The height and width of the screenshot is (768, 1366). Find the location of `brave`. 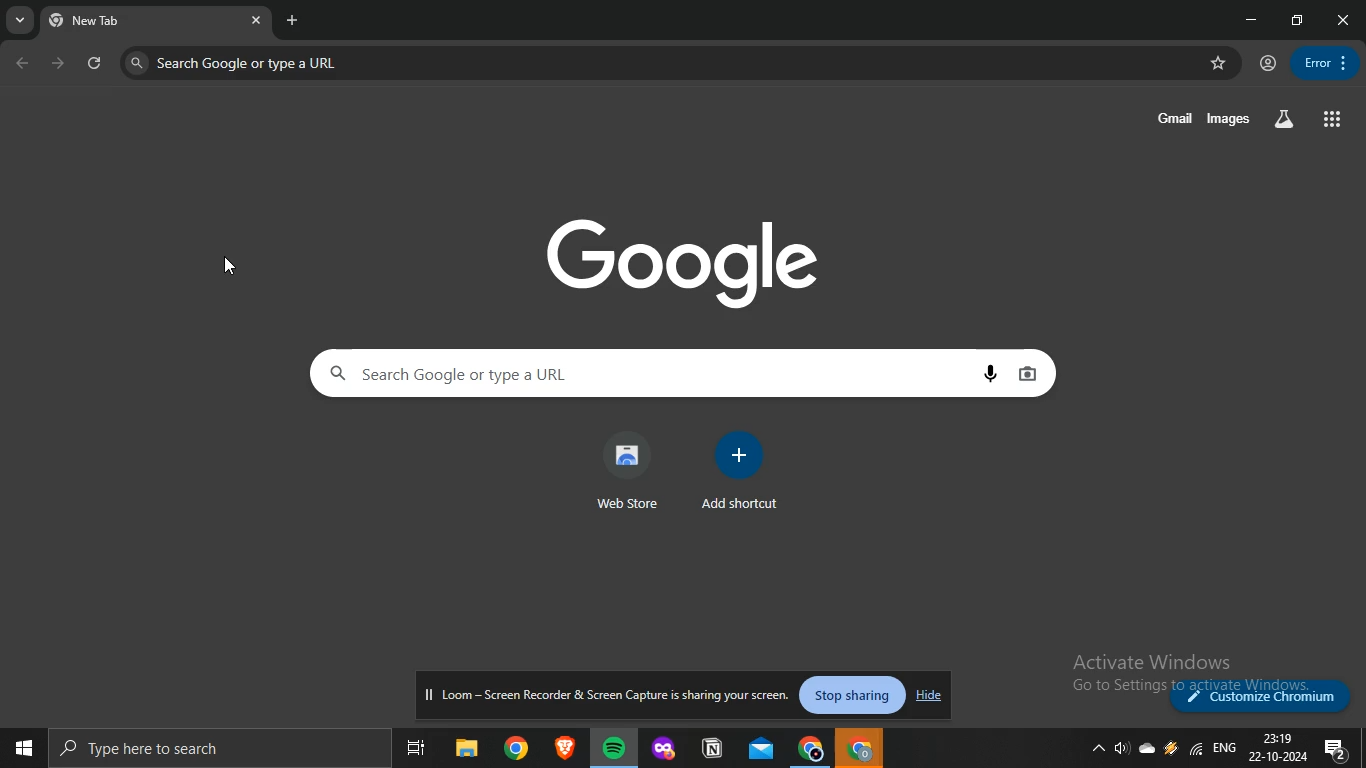

brave is located at coordinates (563, 746).